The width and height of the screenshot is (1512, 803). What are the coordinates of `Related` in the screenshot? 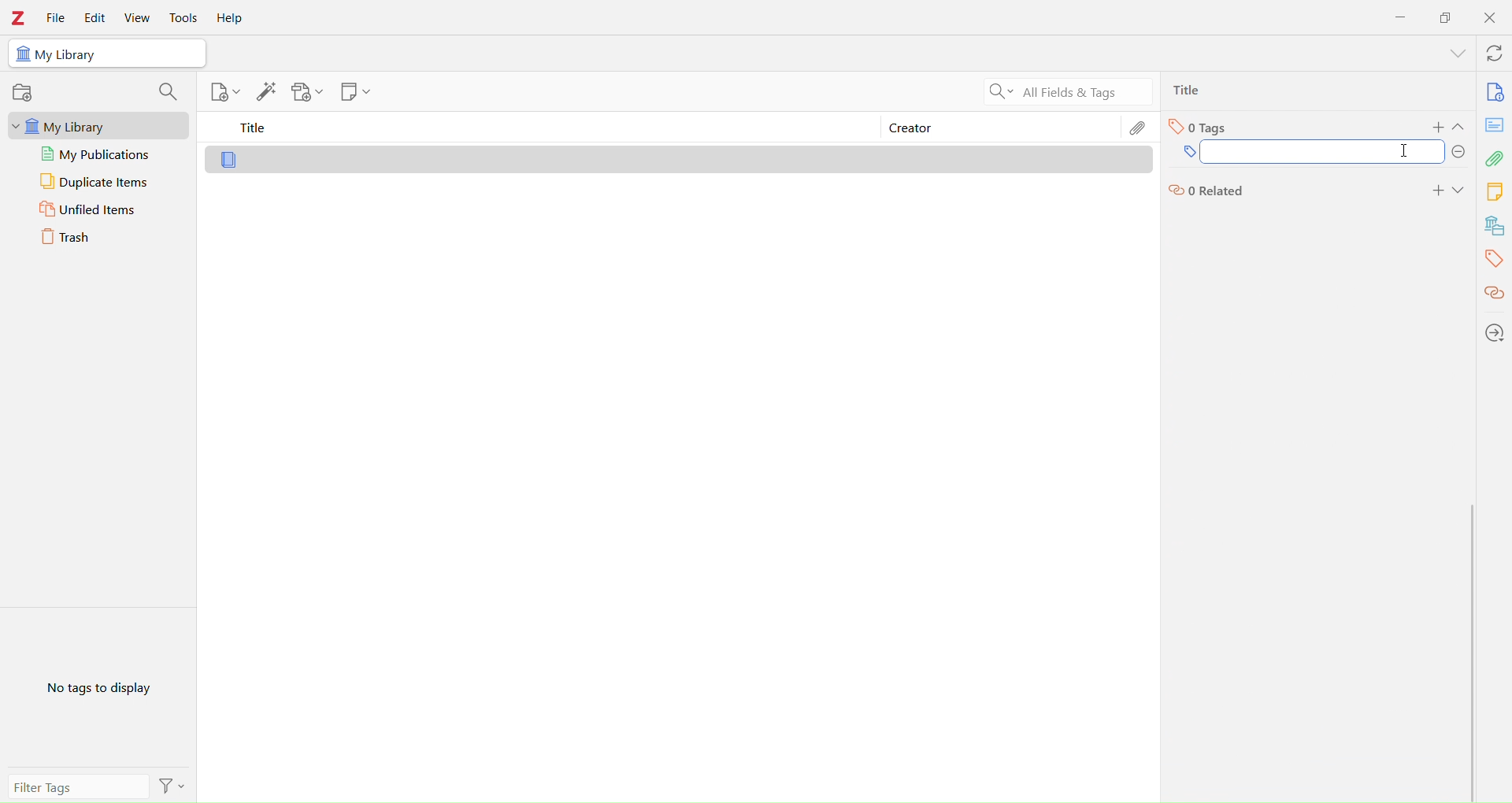 It's located at (1206, 191).